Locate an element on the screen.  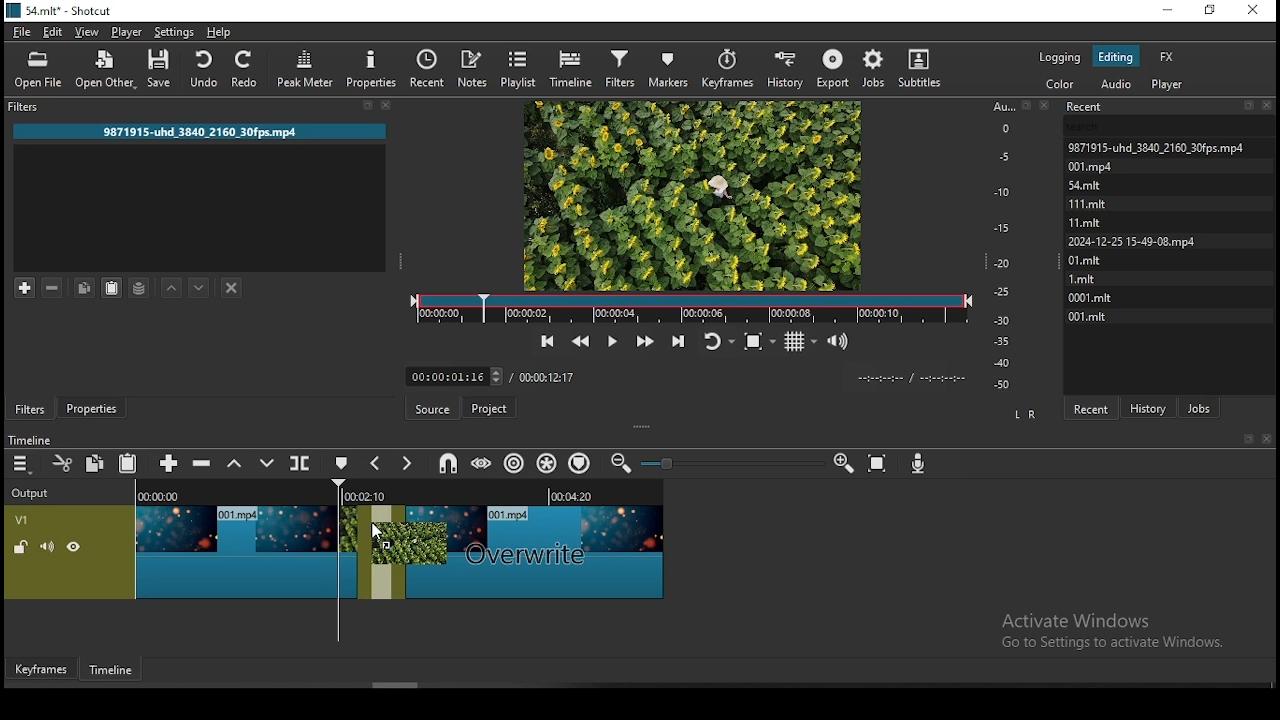
subtitles is located at coordinates (917, 69).